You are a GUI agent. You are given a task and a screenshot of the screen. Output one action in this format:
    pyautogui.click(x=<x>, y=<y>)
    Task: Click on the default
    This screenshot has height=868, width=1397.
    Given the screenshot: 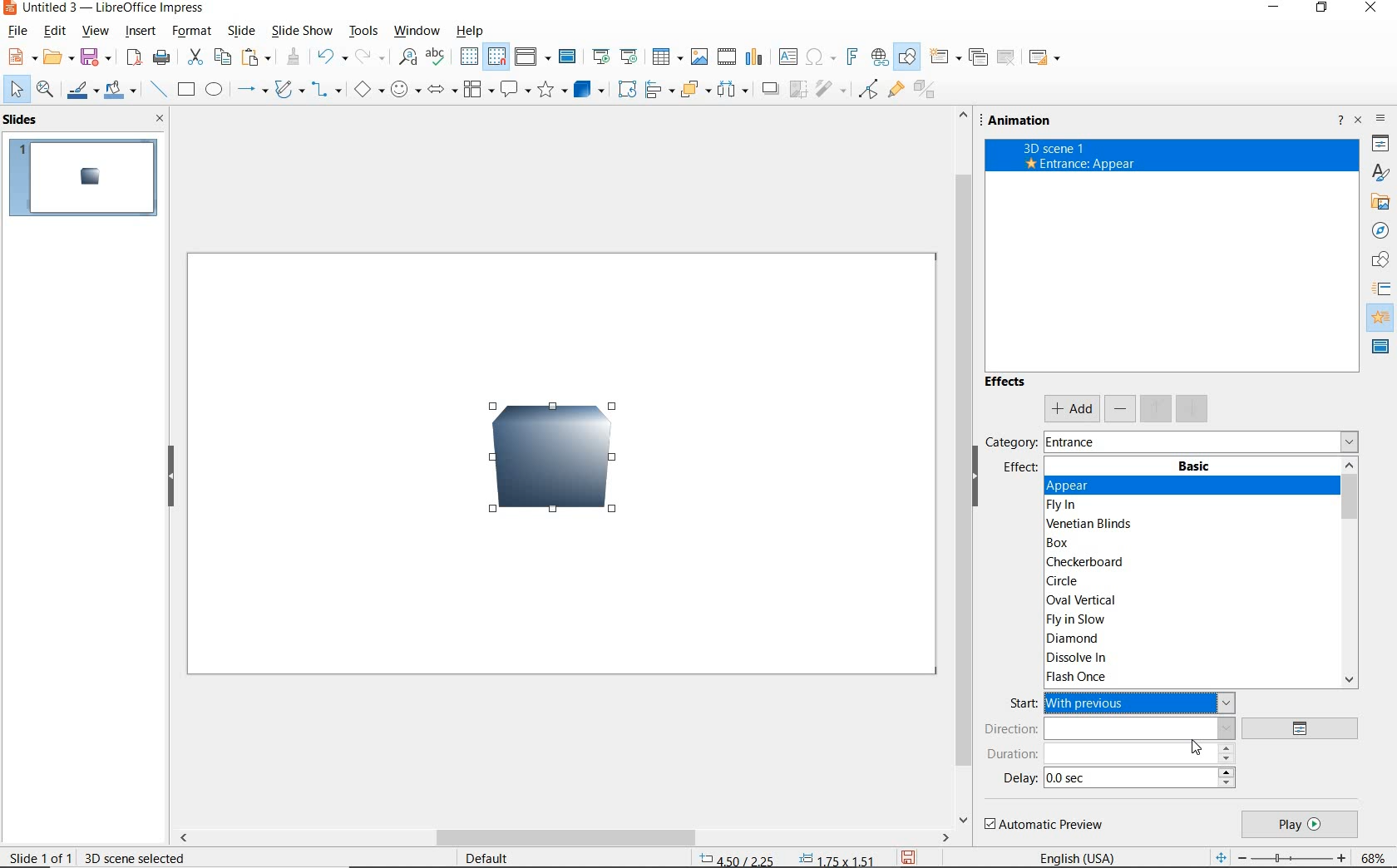 What is the action you would take?
    pyautogui.click(x=485, y=856)
    